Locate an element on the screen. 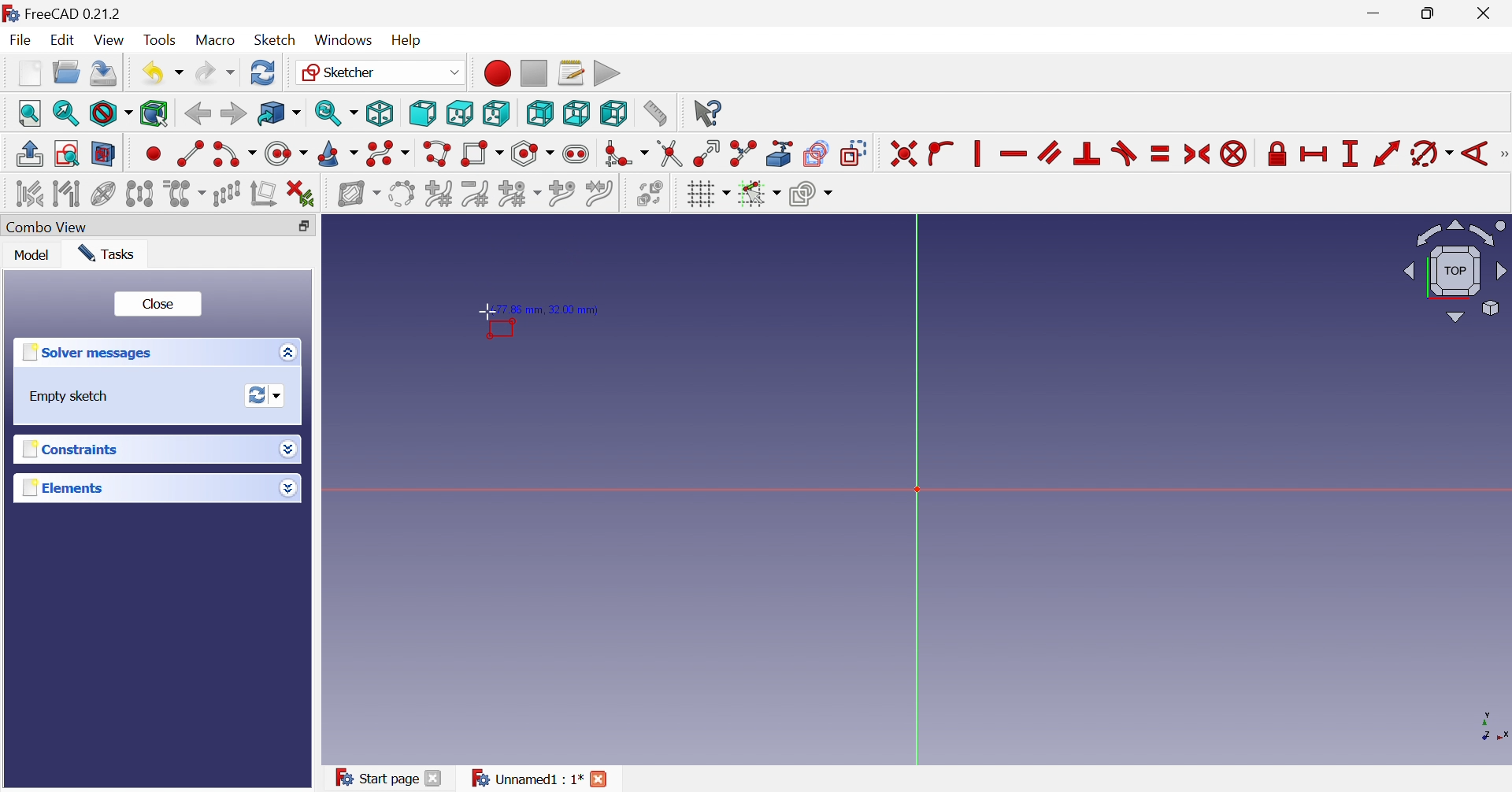 Image resolution: width=1512 pixels, height=792 pixels. Isometric is located at coordinates (379, 114).